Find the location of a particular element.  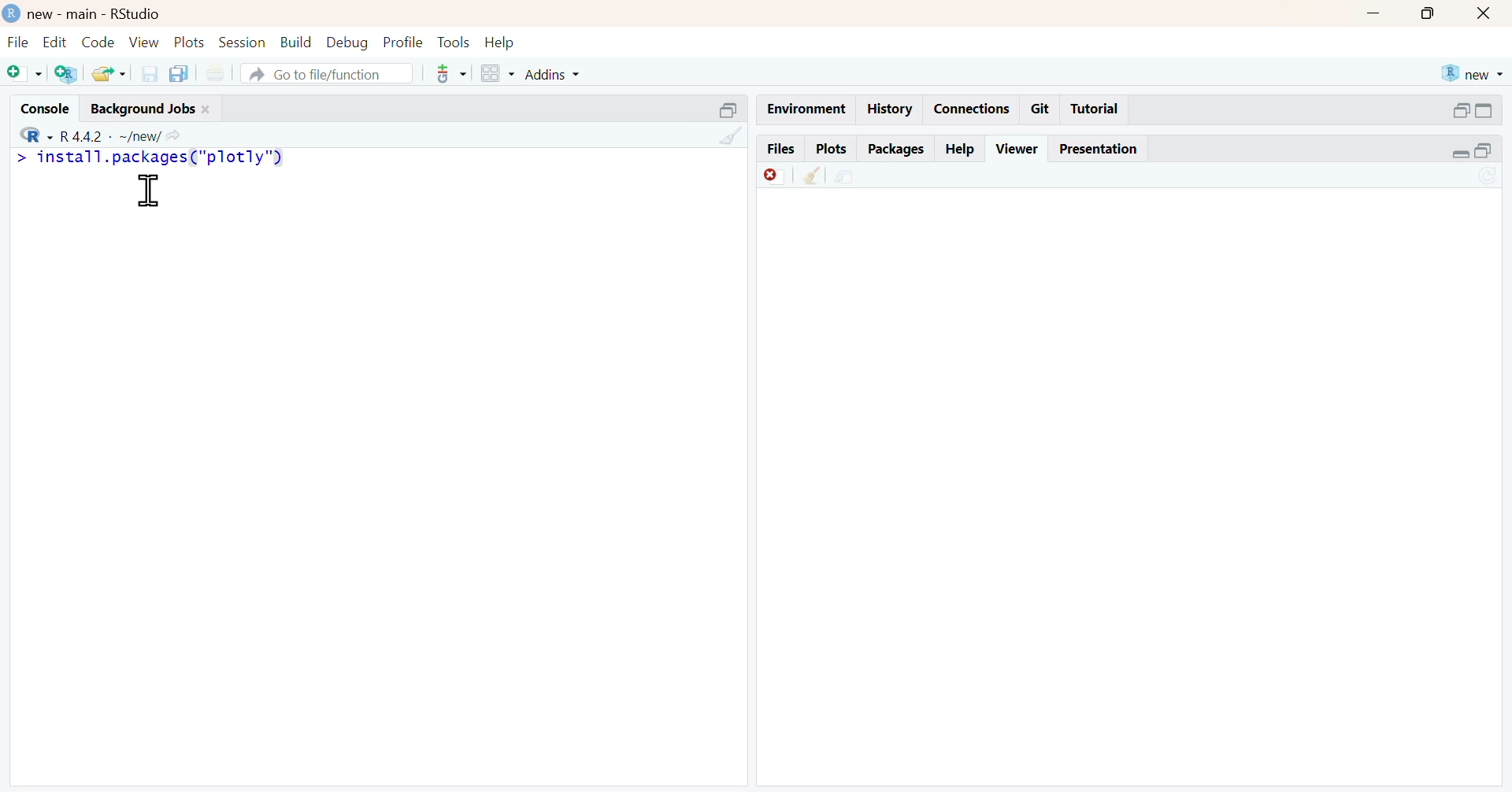

edit is located at coordinates (51, 42).